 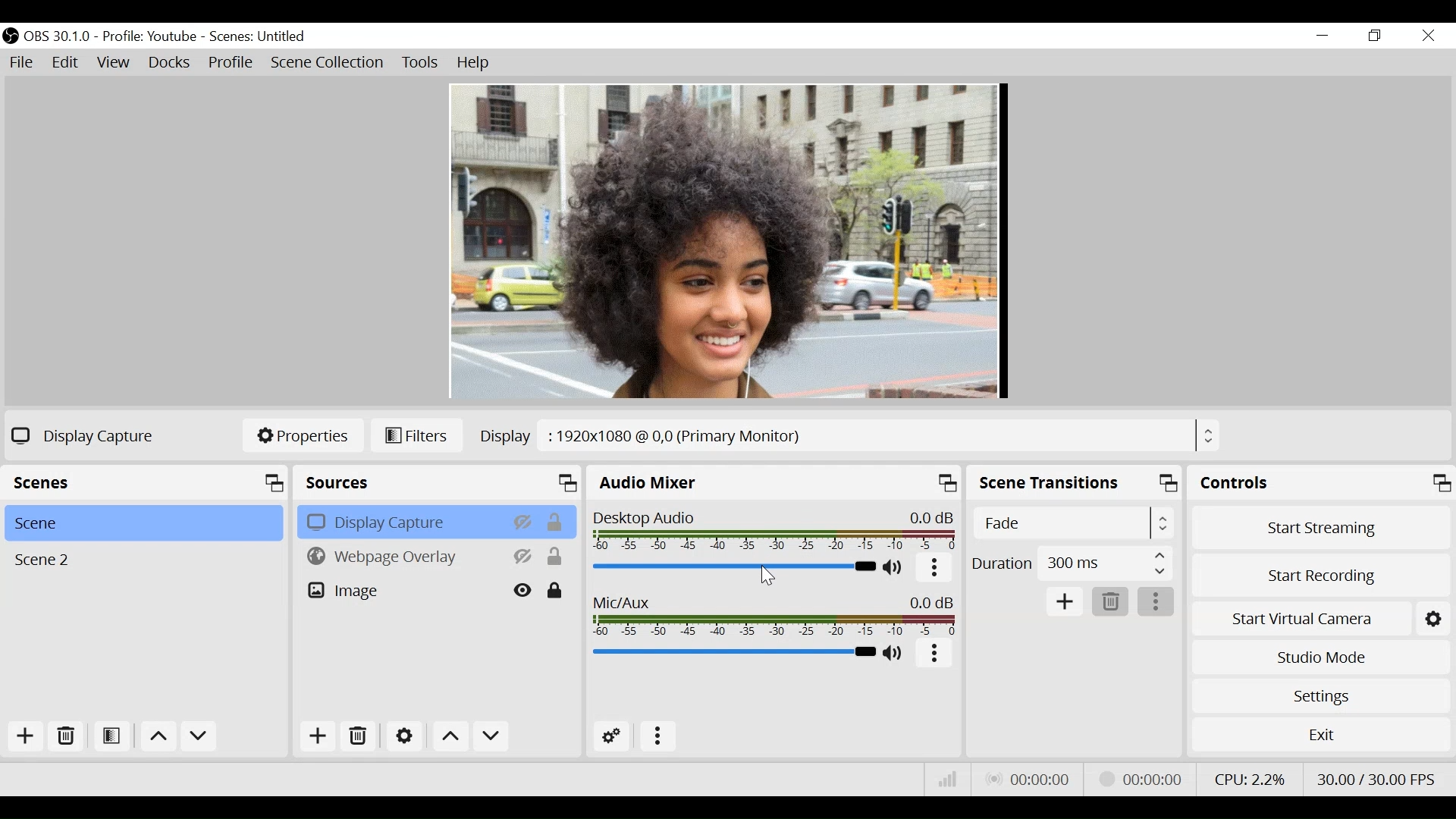 What do you see at coordinates (113, 736) in the screenshot?
I see `Open Filter Scene` at bounding box center [113, 736].